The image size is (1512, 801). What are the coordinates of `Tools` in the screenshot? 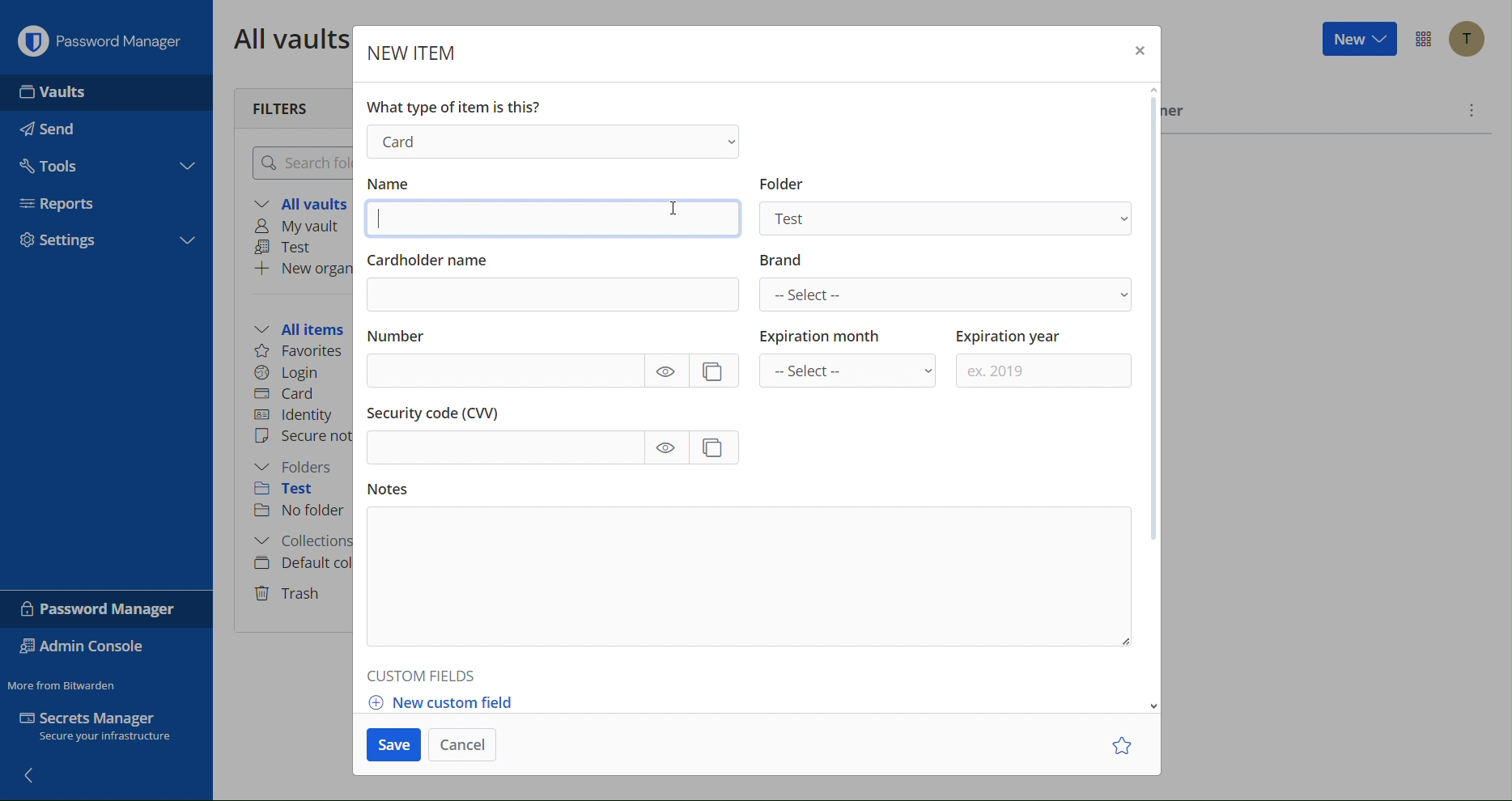 It's located at (59, 165).